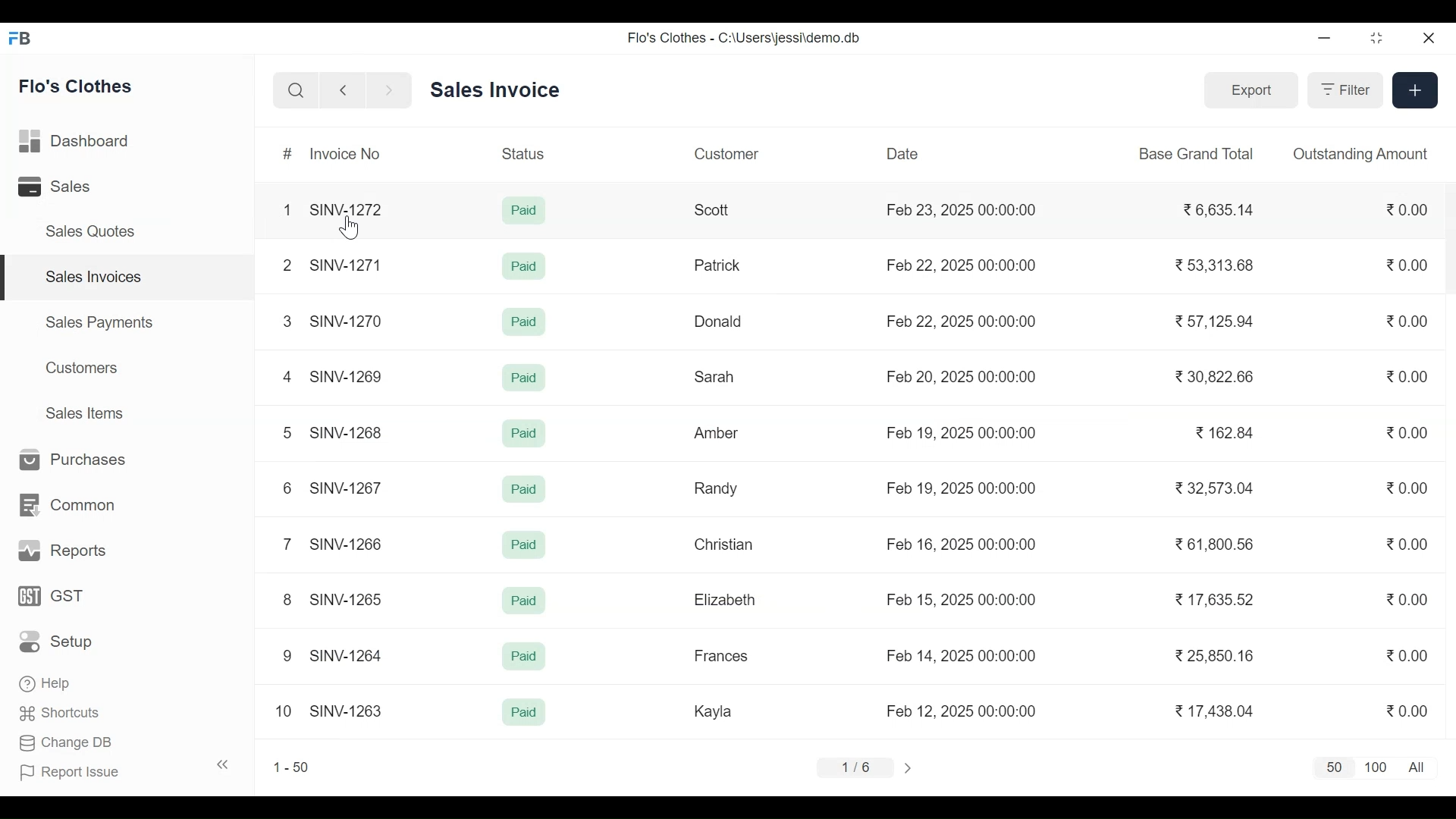 The width and height of the screenshot is (1456, 819). I want to click on Patrick, so click(719, 266).